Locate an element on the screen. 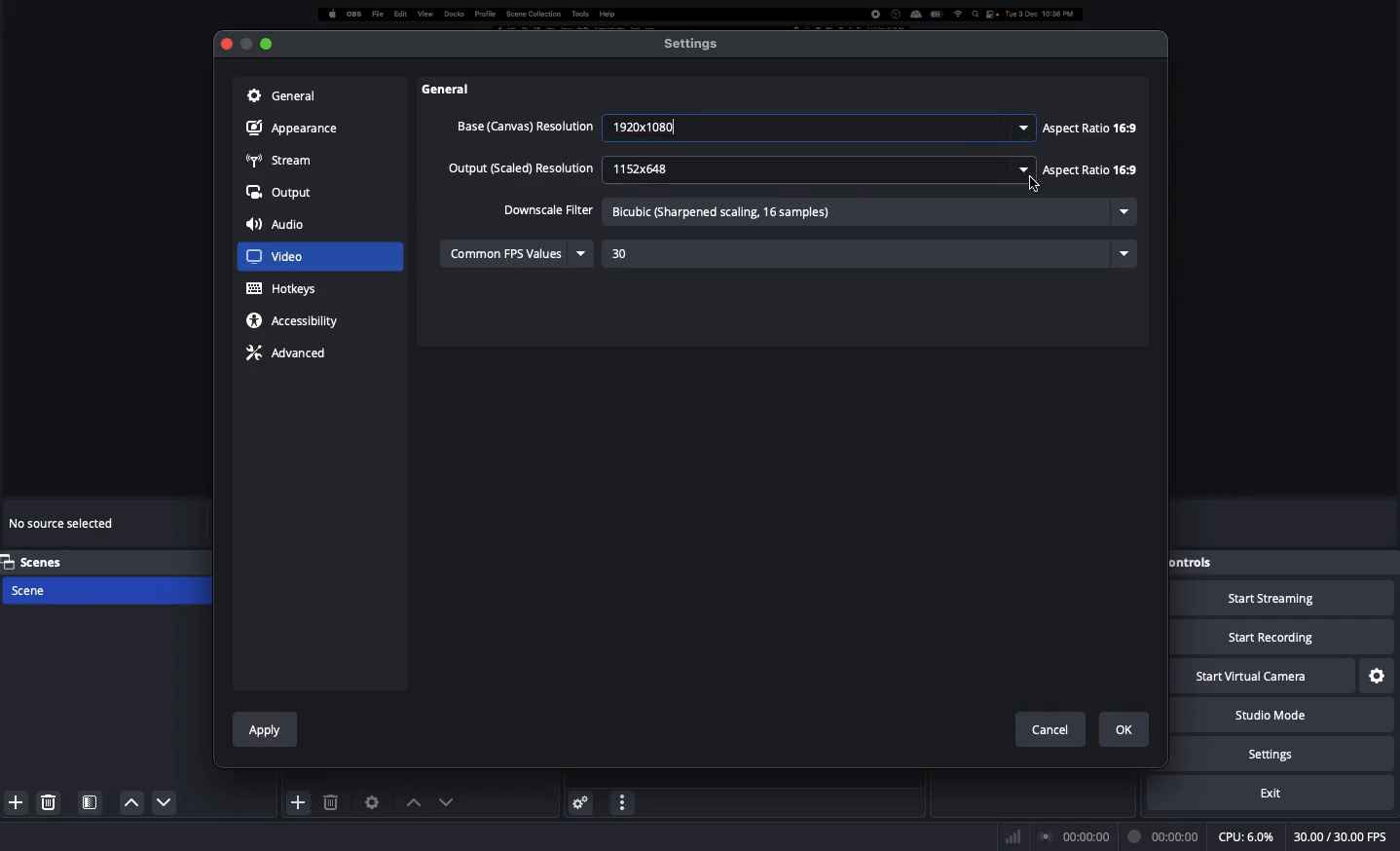  Bicubic is located at coordinates (868, 212).